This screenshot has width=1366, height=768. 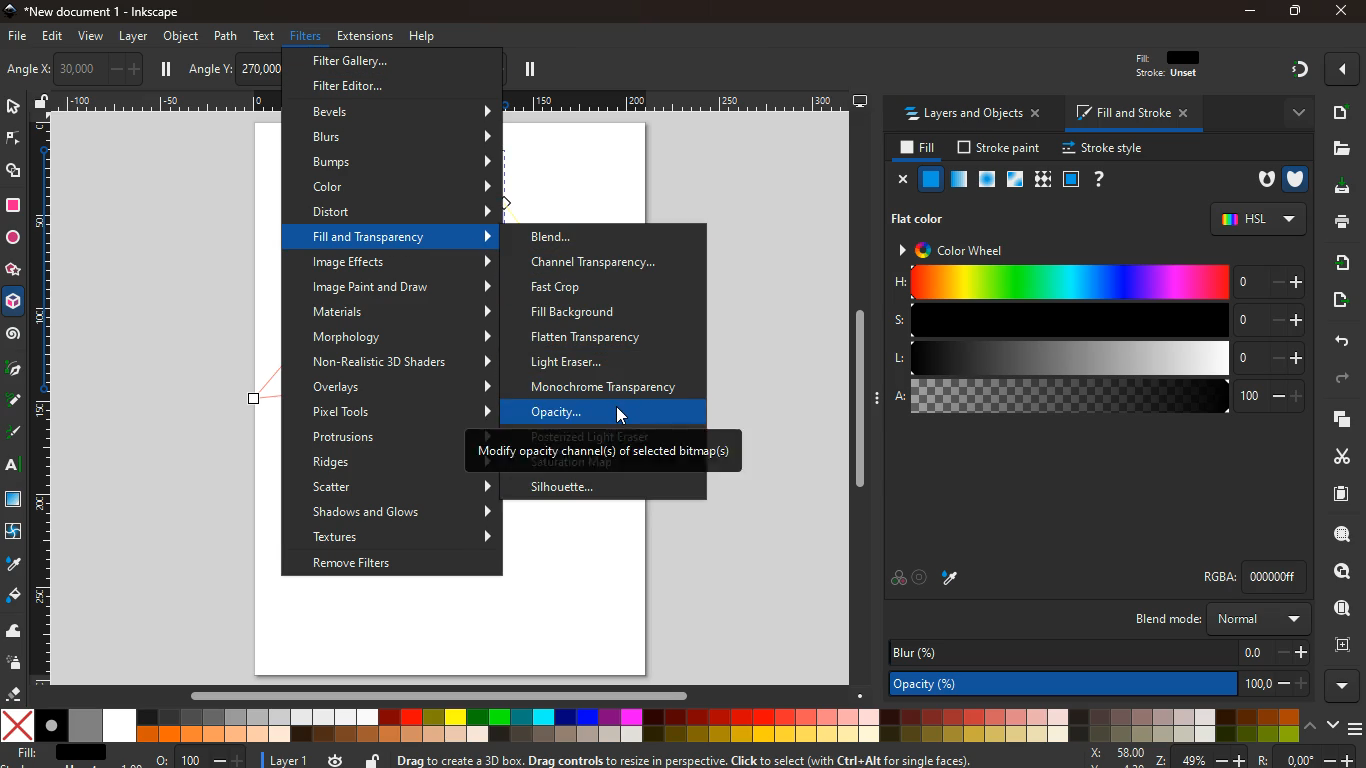 I want to click on shadows and glows, so click(x=402, y=510).